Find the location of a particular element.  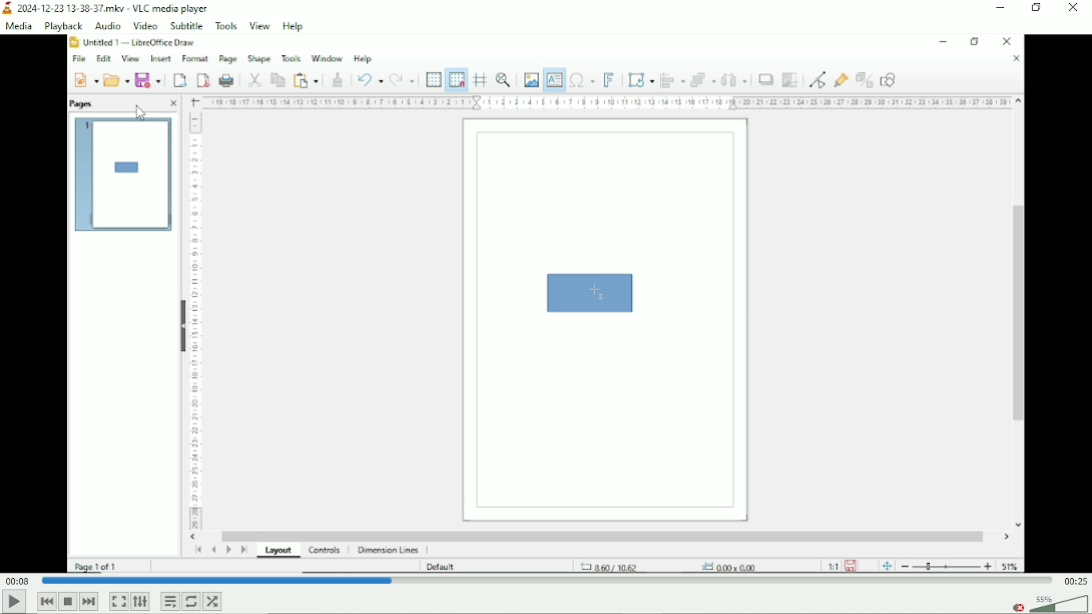

Previous is located at coordinates (46, 601).